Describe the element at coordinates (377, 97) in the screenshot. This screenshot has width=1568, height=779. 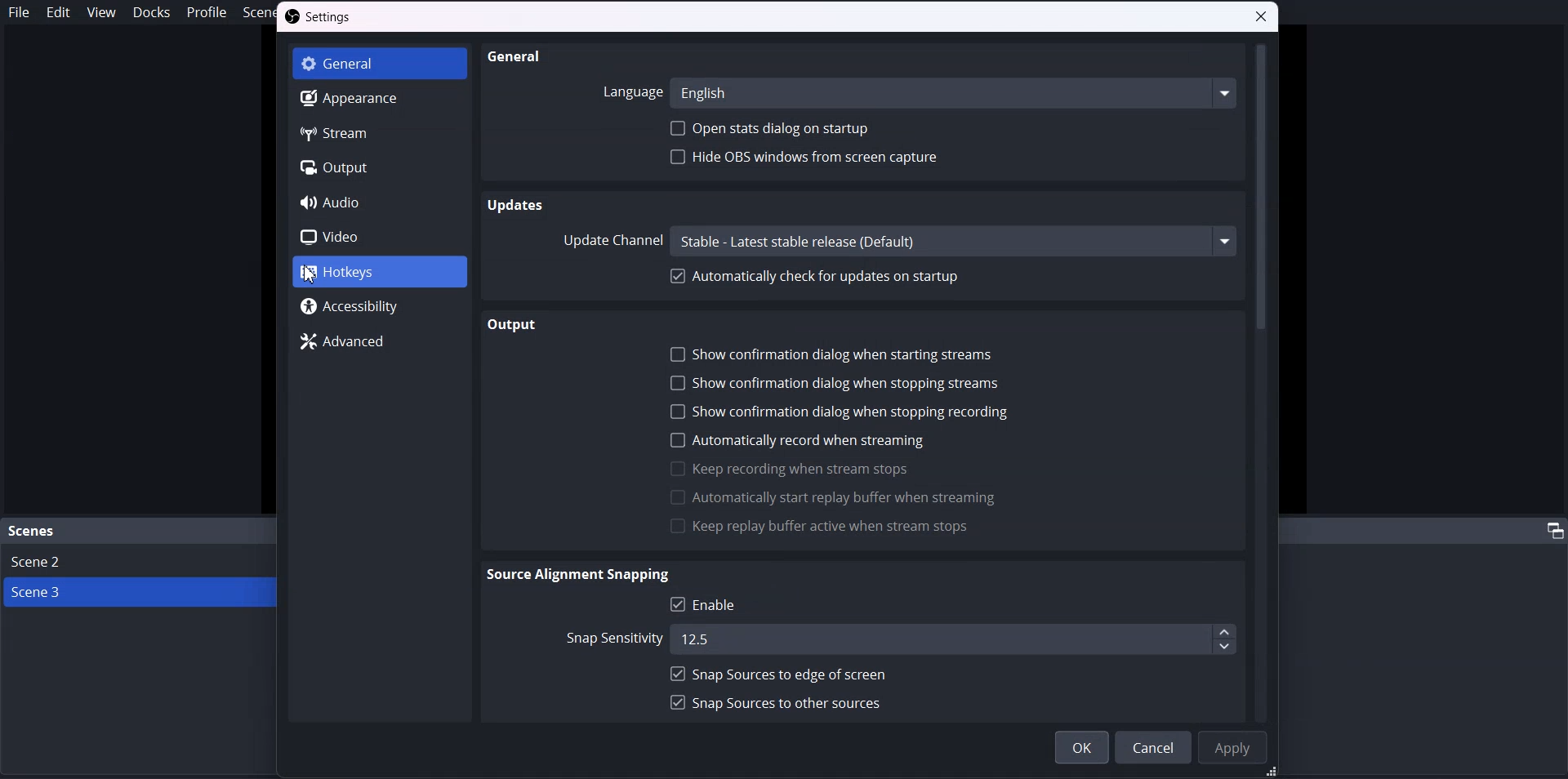
I see `Apperance` at that location.